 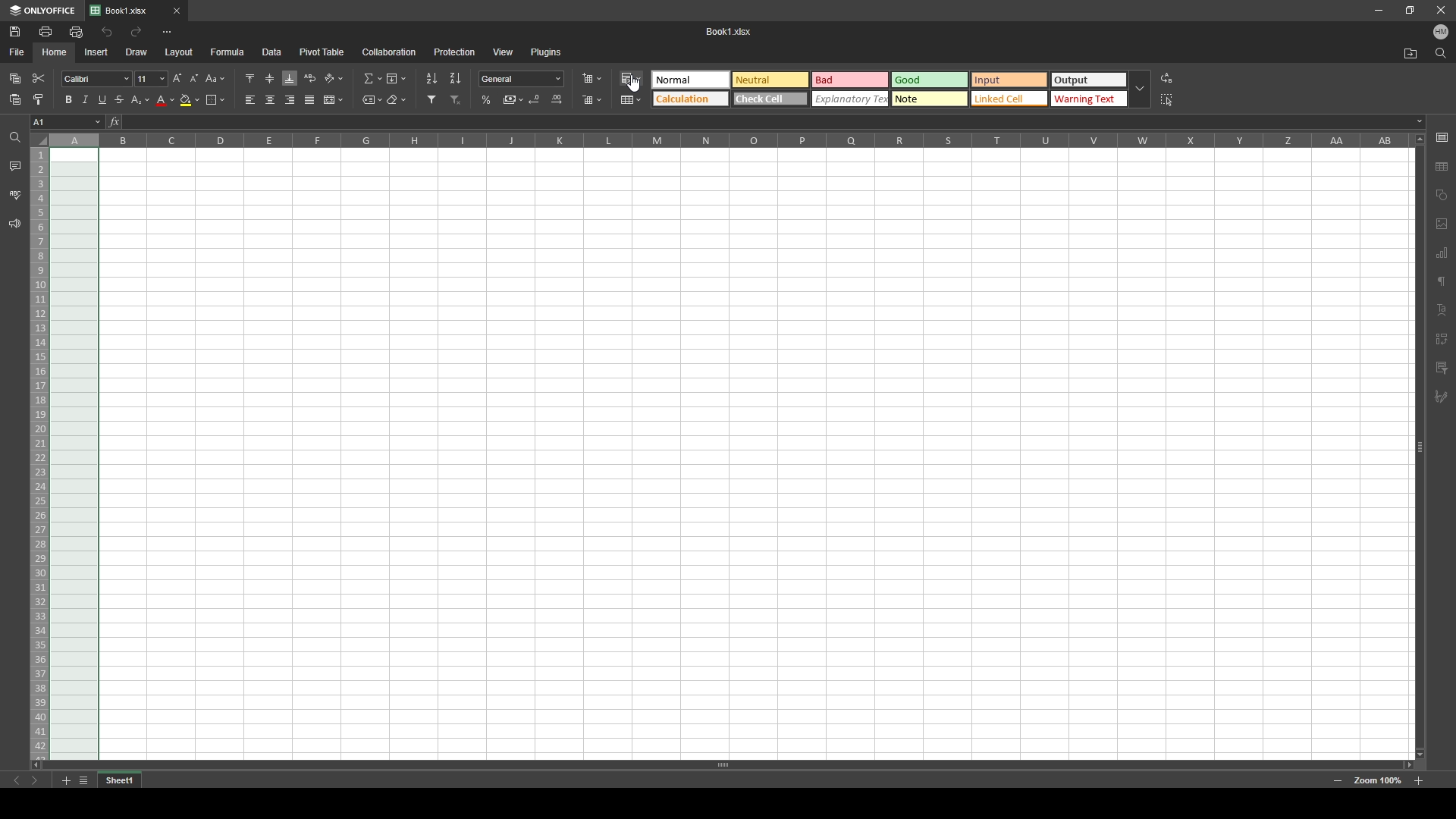 I want to click on zoom, so click(x=1378, y=781).